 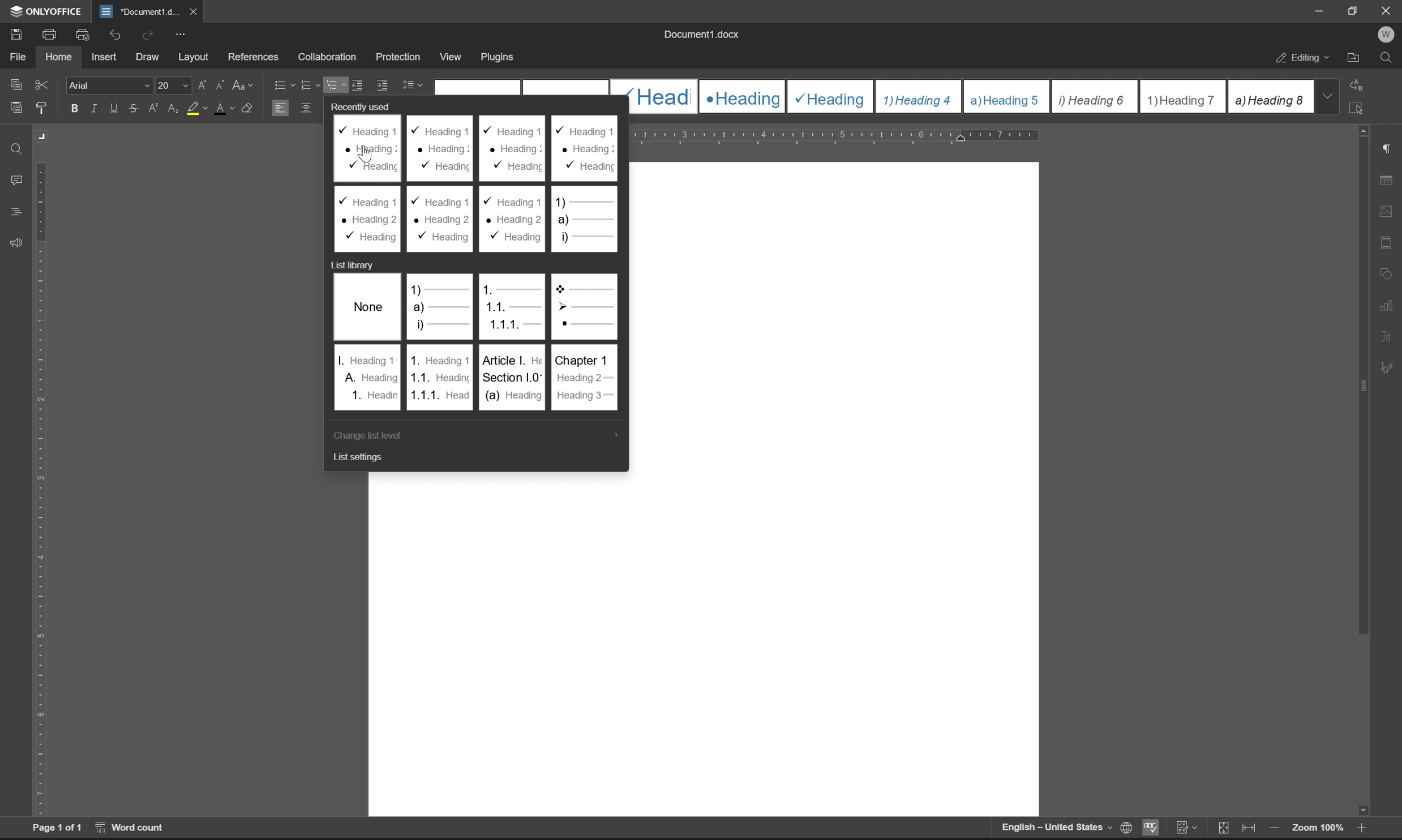 I want to click on text art settings, so click(x=1386, y=336).